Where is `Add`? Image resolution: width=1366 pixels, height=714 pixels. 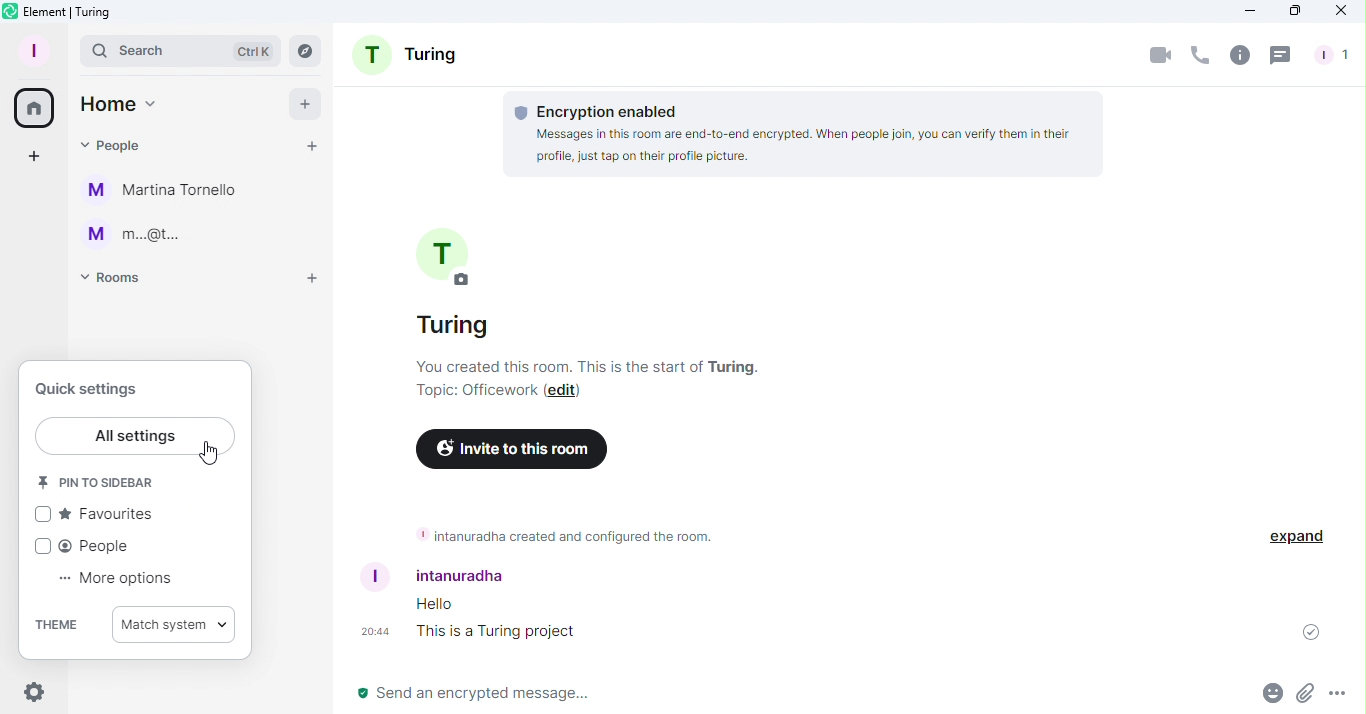
Add is located at coordinates (299, 101).